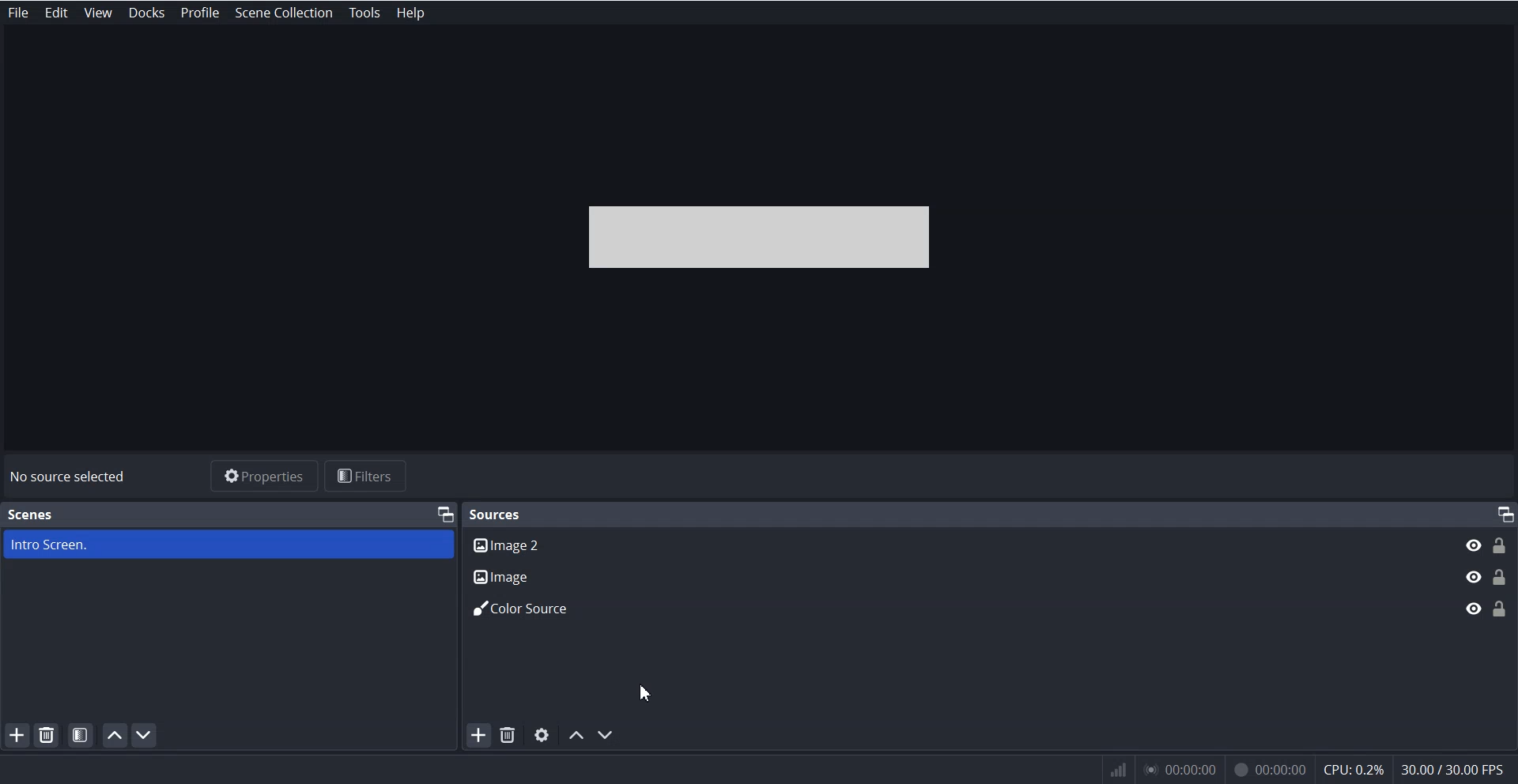  Describe the element at coordinates (444, 513) in the screenshot. I see `Maximize` at that location.